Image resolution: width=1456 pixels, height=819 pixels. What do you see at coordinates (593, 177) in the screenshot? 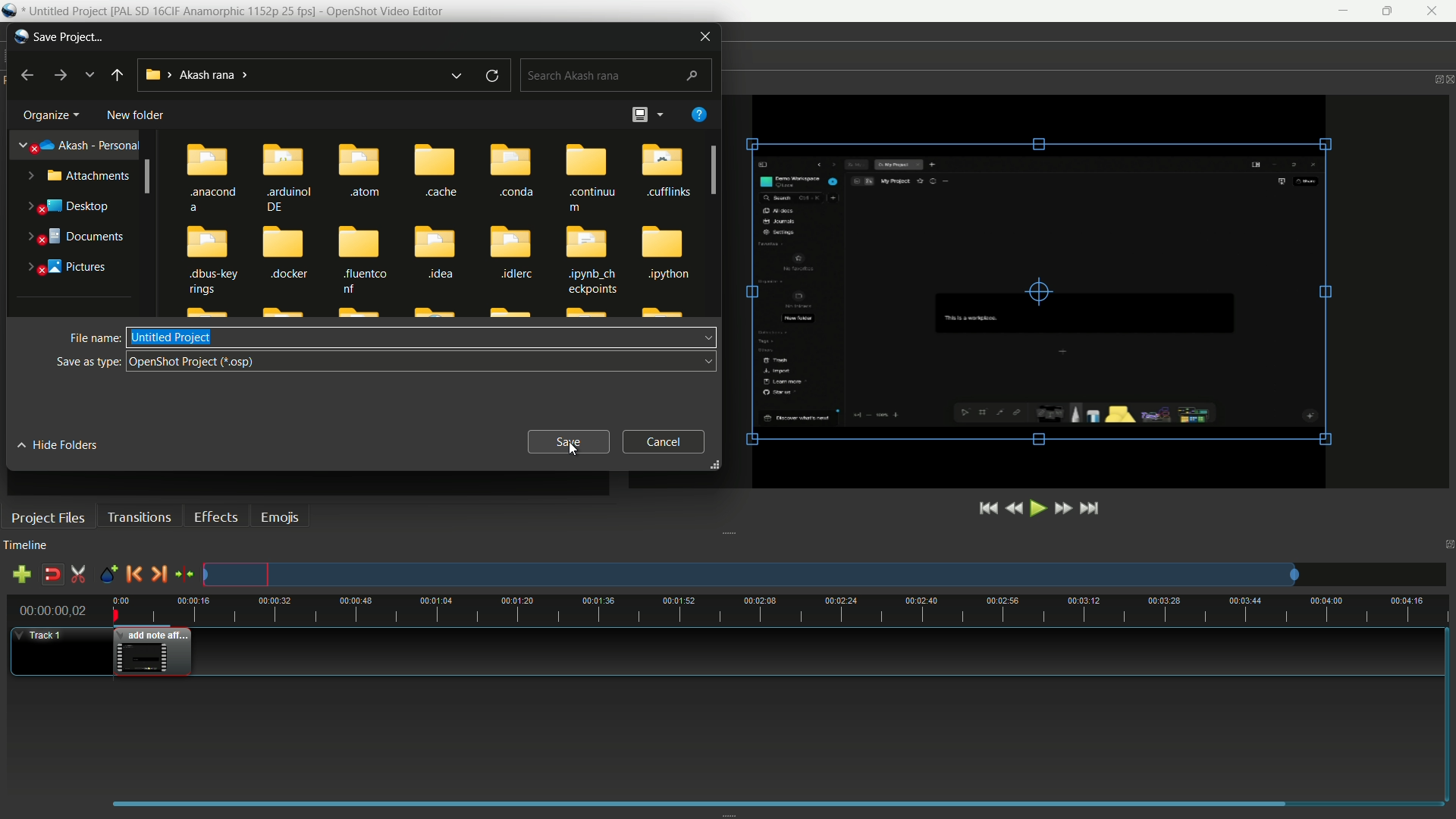
I see `continu
m` at bounding box center [593, 177].